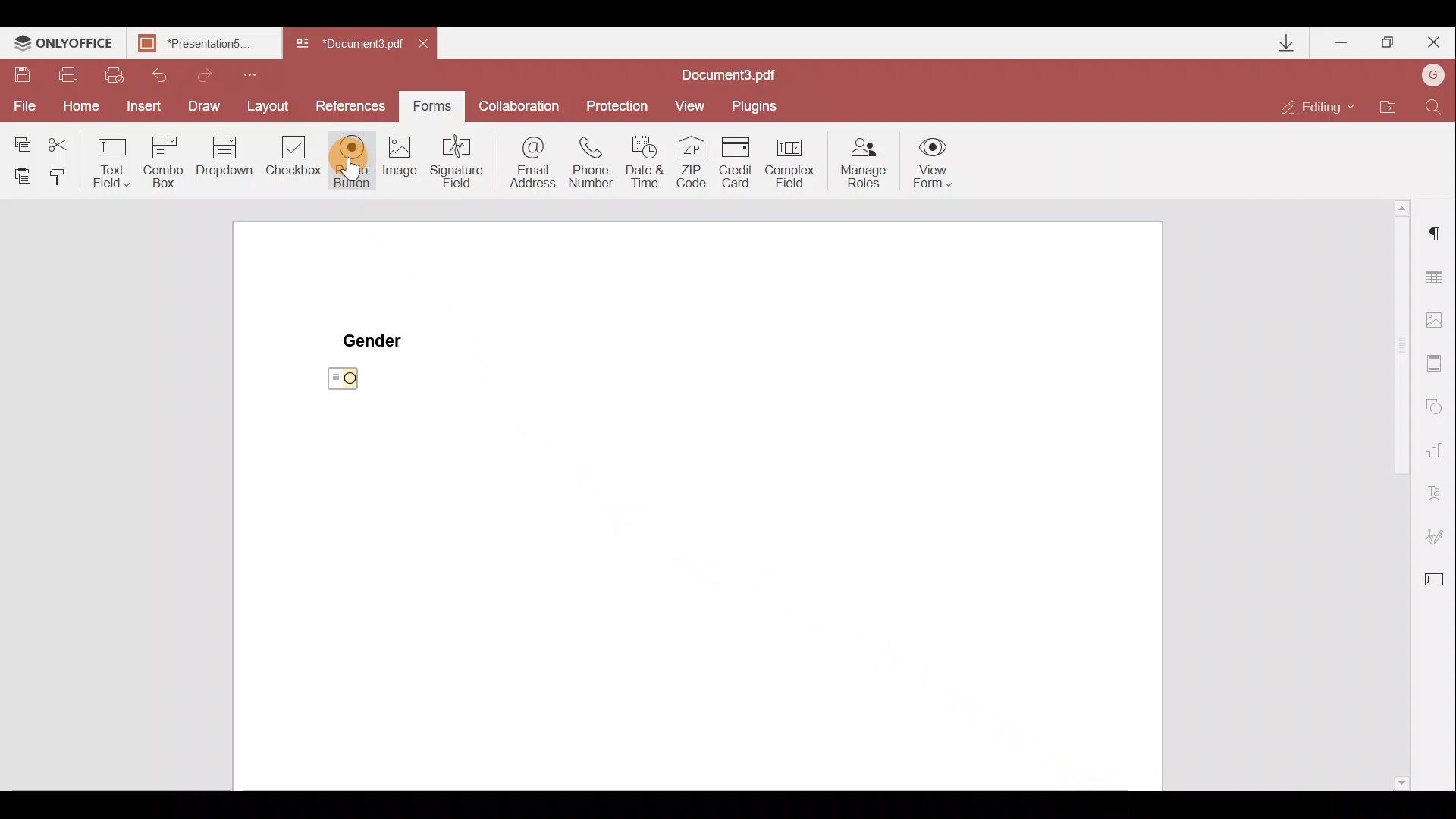 This screenshot has height=819, width=1456. Describe the element at coordinates (352, 162) in the screenshot. I see `Radio` at that location.